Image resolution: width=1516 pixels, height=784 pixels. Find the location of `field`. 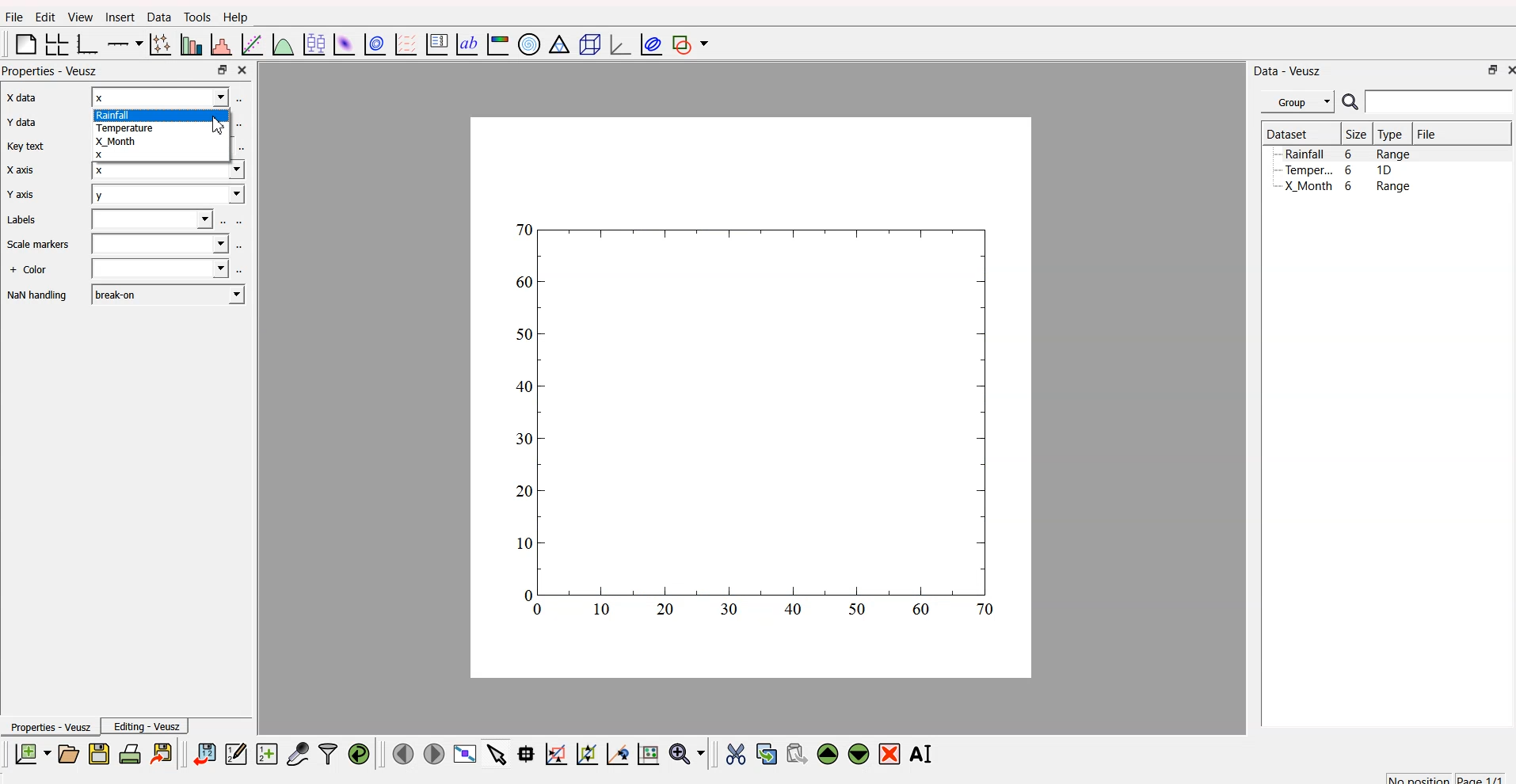

field is located at coordinates (163, 244).